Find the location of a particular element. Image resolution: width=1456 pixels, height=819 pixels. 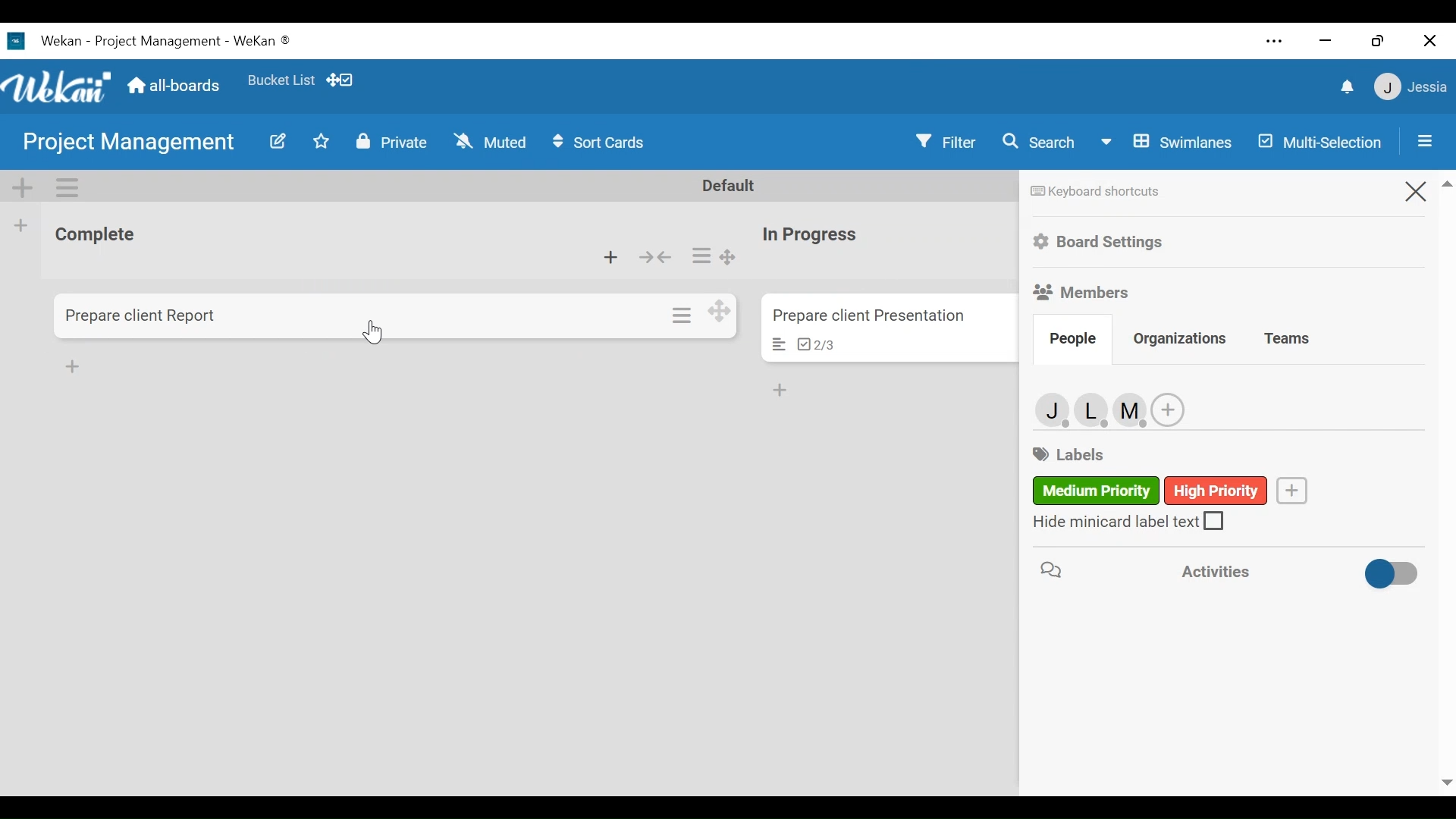

Create a label is located at coordinates (1291, 490).